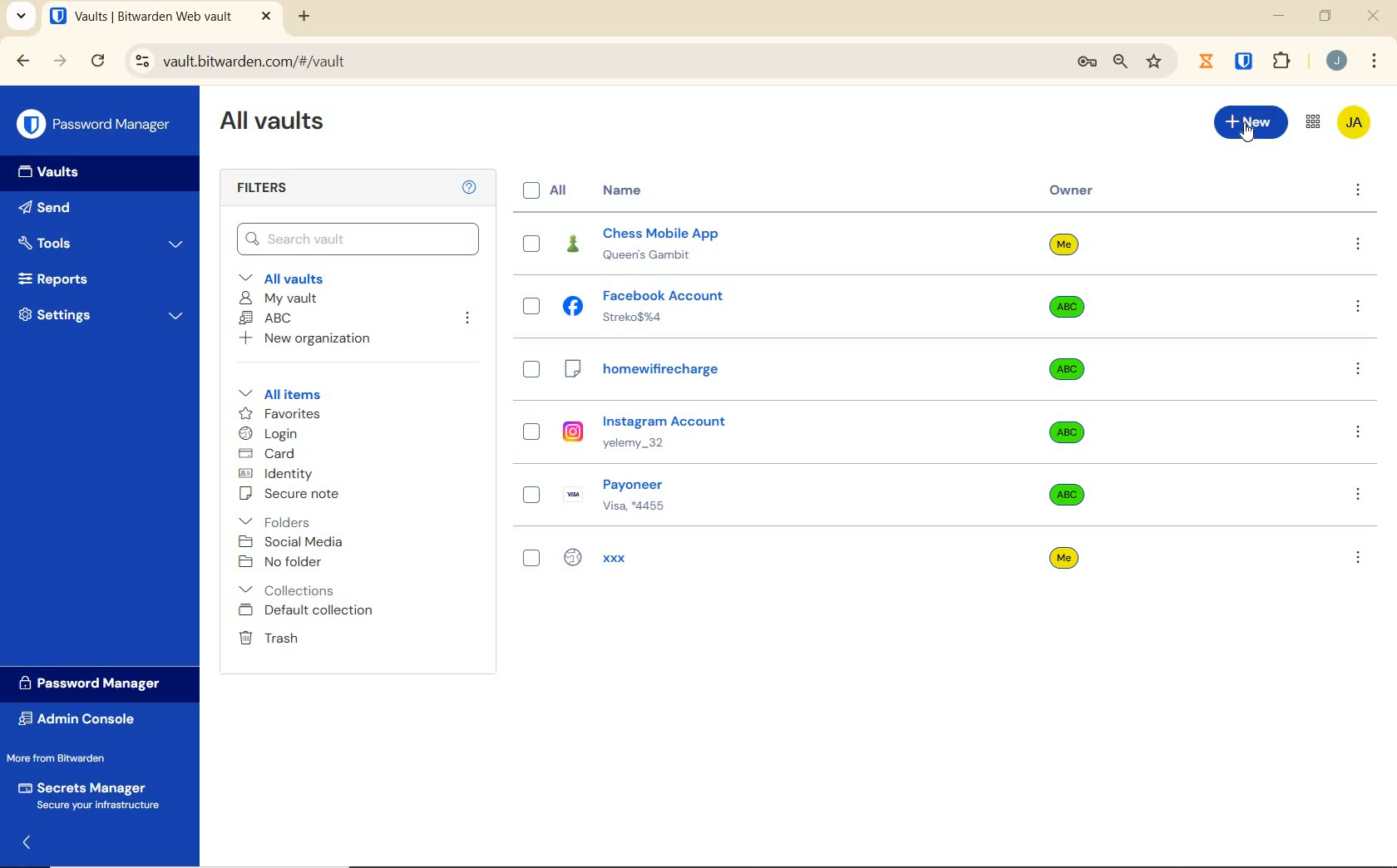 Image resolution: width=1397 pixels, height=868 pixels. What do you see at coordinates (1375, 61) in the screenshot?
I see `customize Google chrome` at bounding box center [1375, 61].